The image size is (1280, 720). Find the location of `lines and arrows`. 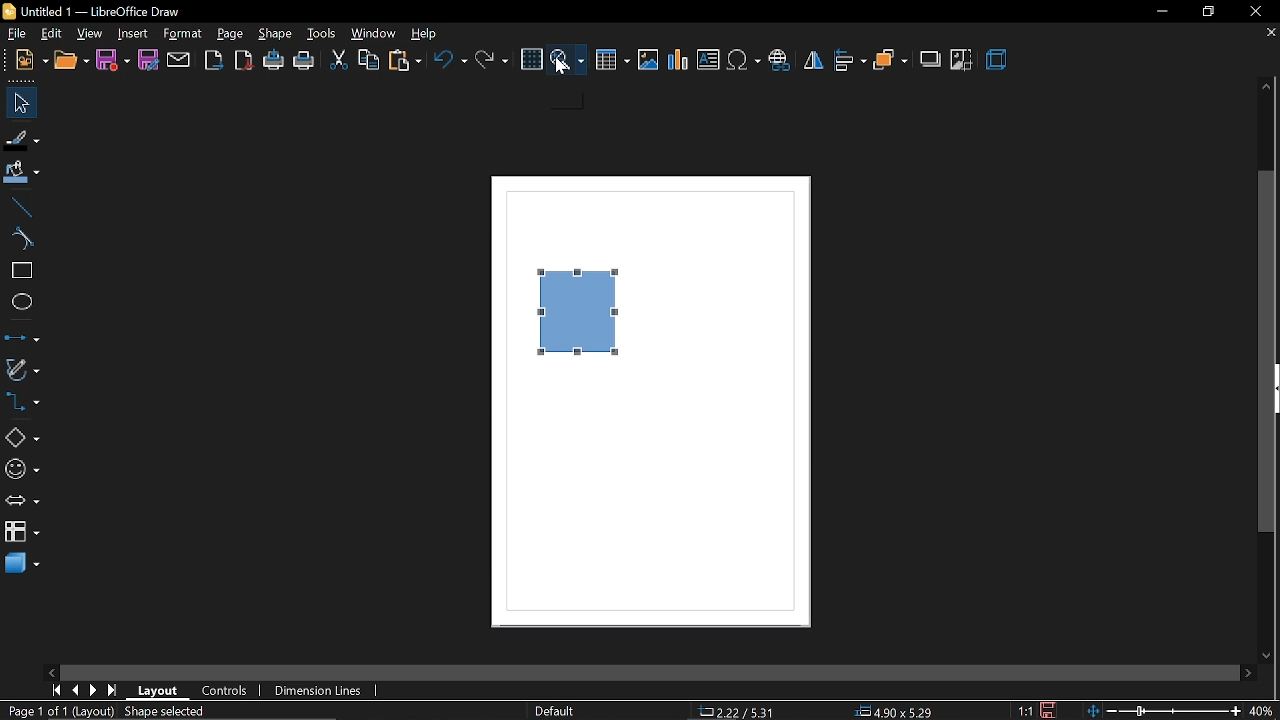

lines and arrows is located at coordinates (20, 337).